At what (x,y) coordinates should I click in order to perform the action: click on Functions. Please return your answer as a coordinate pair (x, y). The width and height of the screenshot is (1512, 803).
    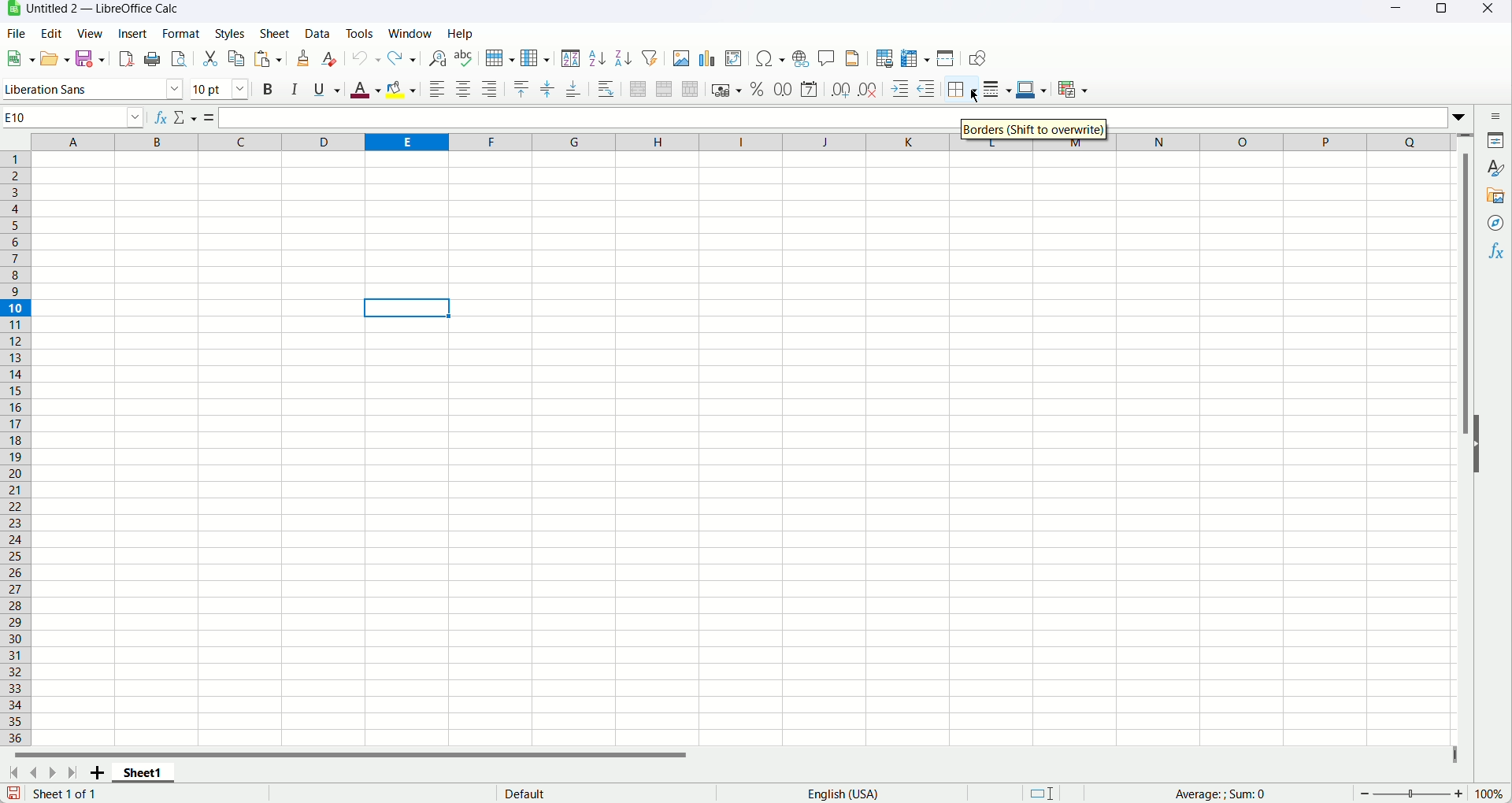
    Looking at the image, I should click on (1497, 252).